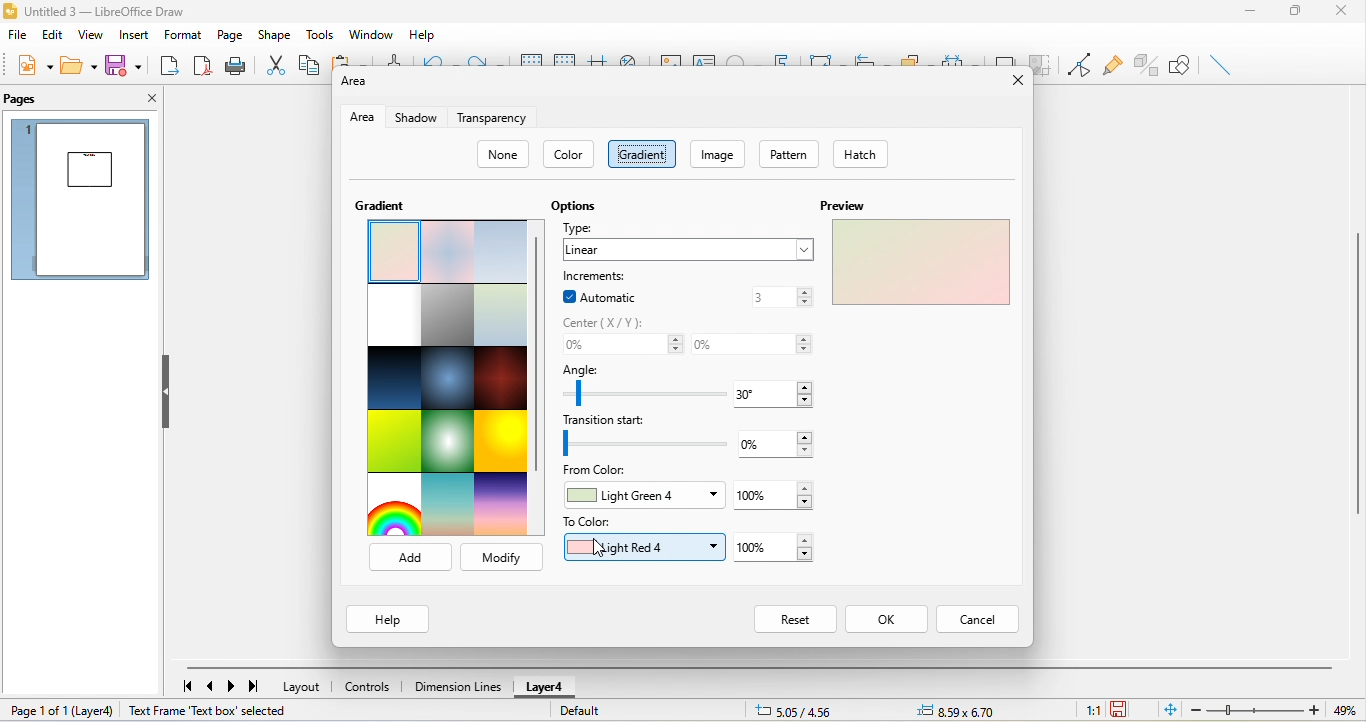 Image resolution: width=1366 pixels, height=722 pixels. I want to click on light red 4, so click(642, 548).